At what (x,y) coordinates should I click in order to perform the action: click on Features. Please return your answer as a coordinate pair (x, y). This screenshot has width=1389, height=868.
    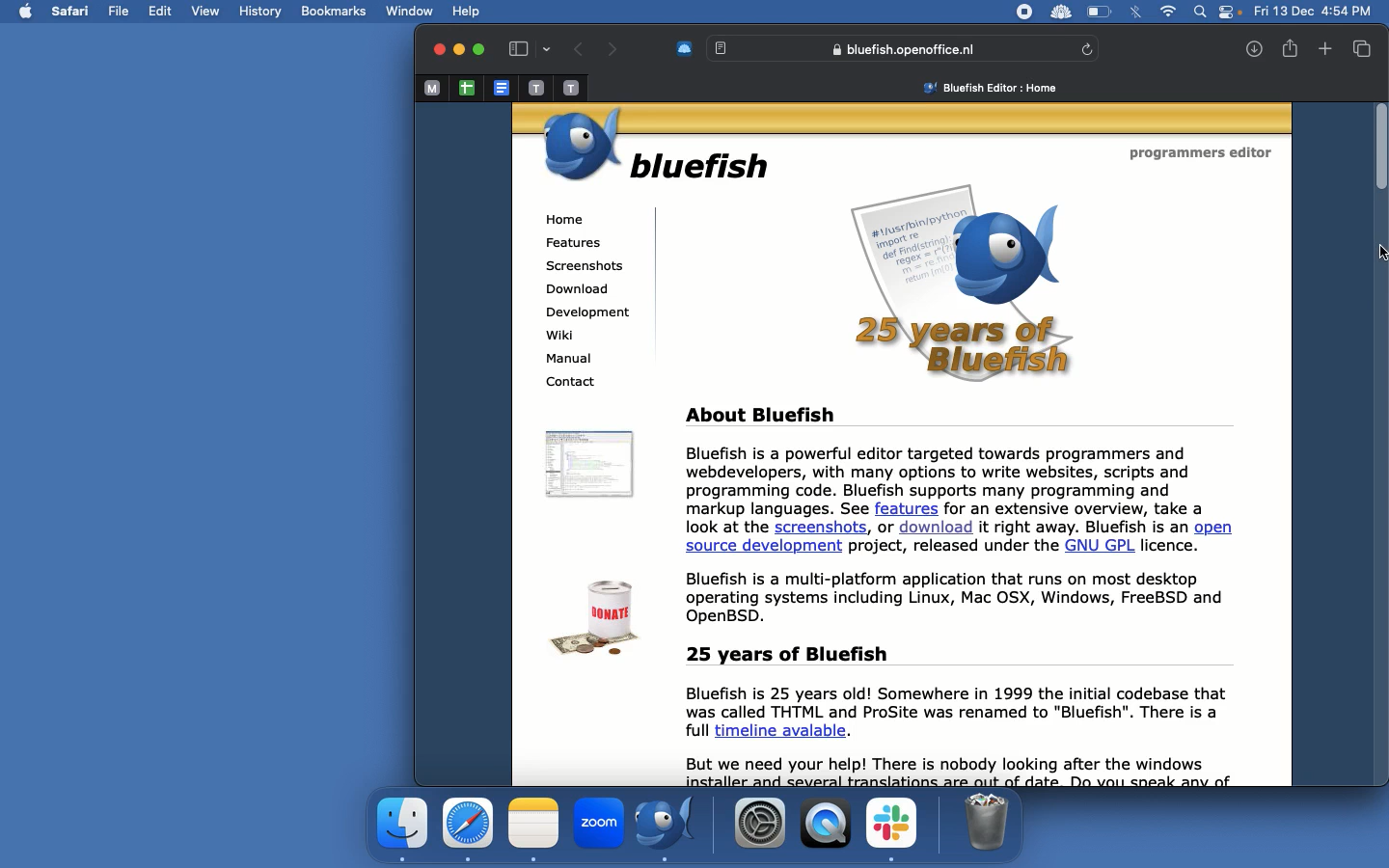
    Looking at the image, I should click on (569, 241).